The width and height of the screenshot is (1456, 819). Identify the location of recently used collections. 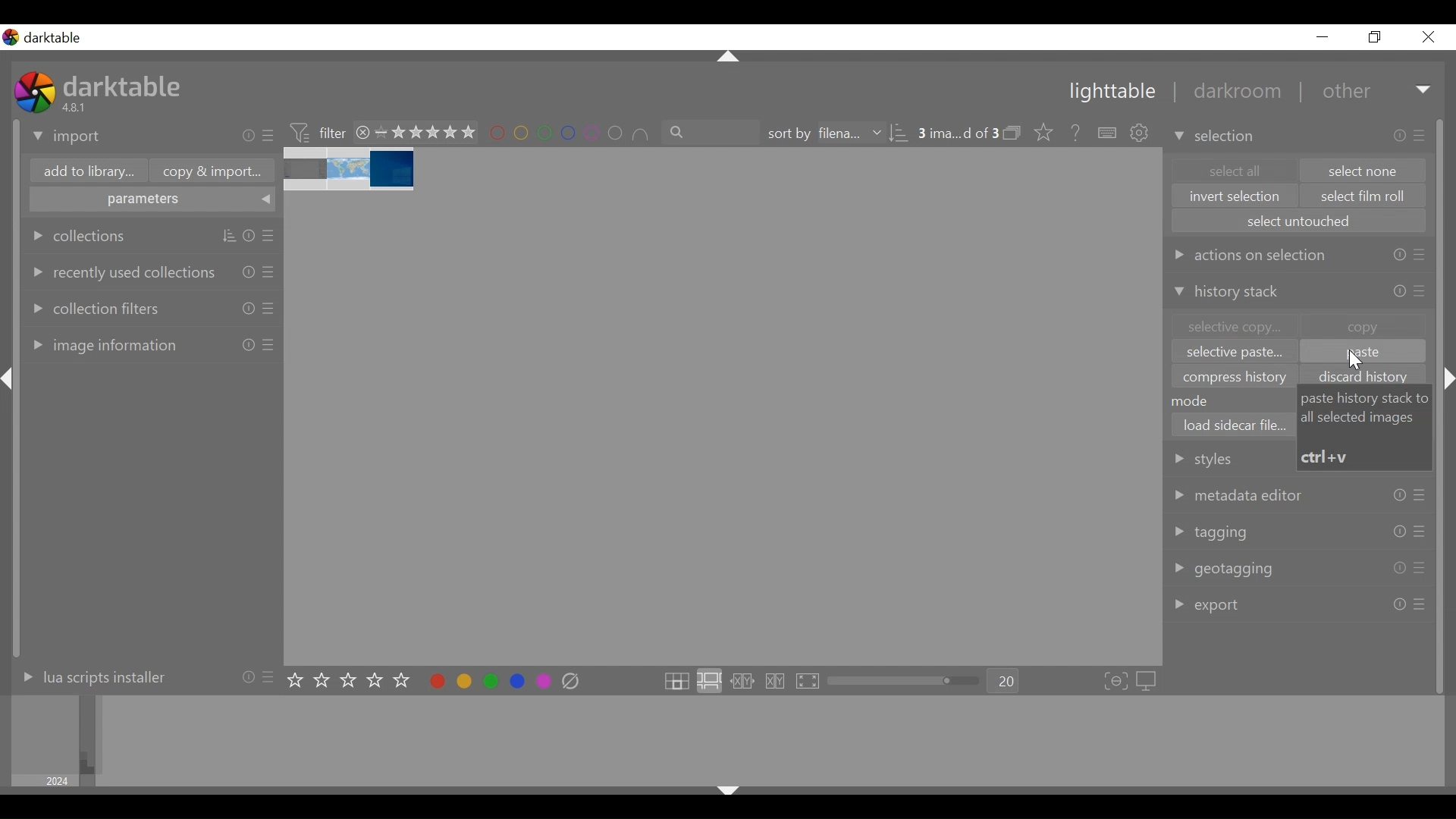
(121, 271).